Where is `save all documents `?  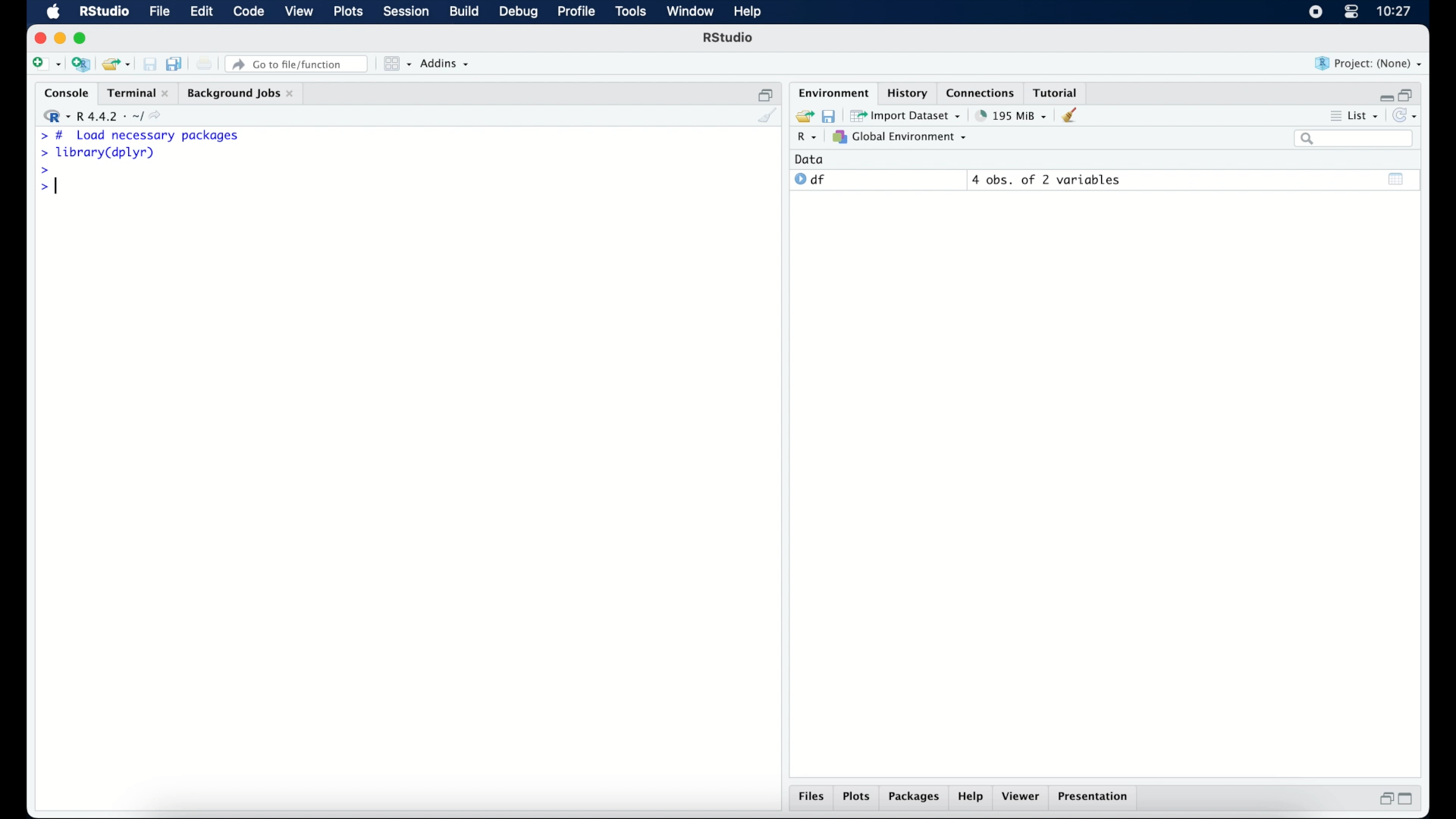 save all documents  is located at coordinates (176, 63).